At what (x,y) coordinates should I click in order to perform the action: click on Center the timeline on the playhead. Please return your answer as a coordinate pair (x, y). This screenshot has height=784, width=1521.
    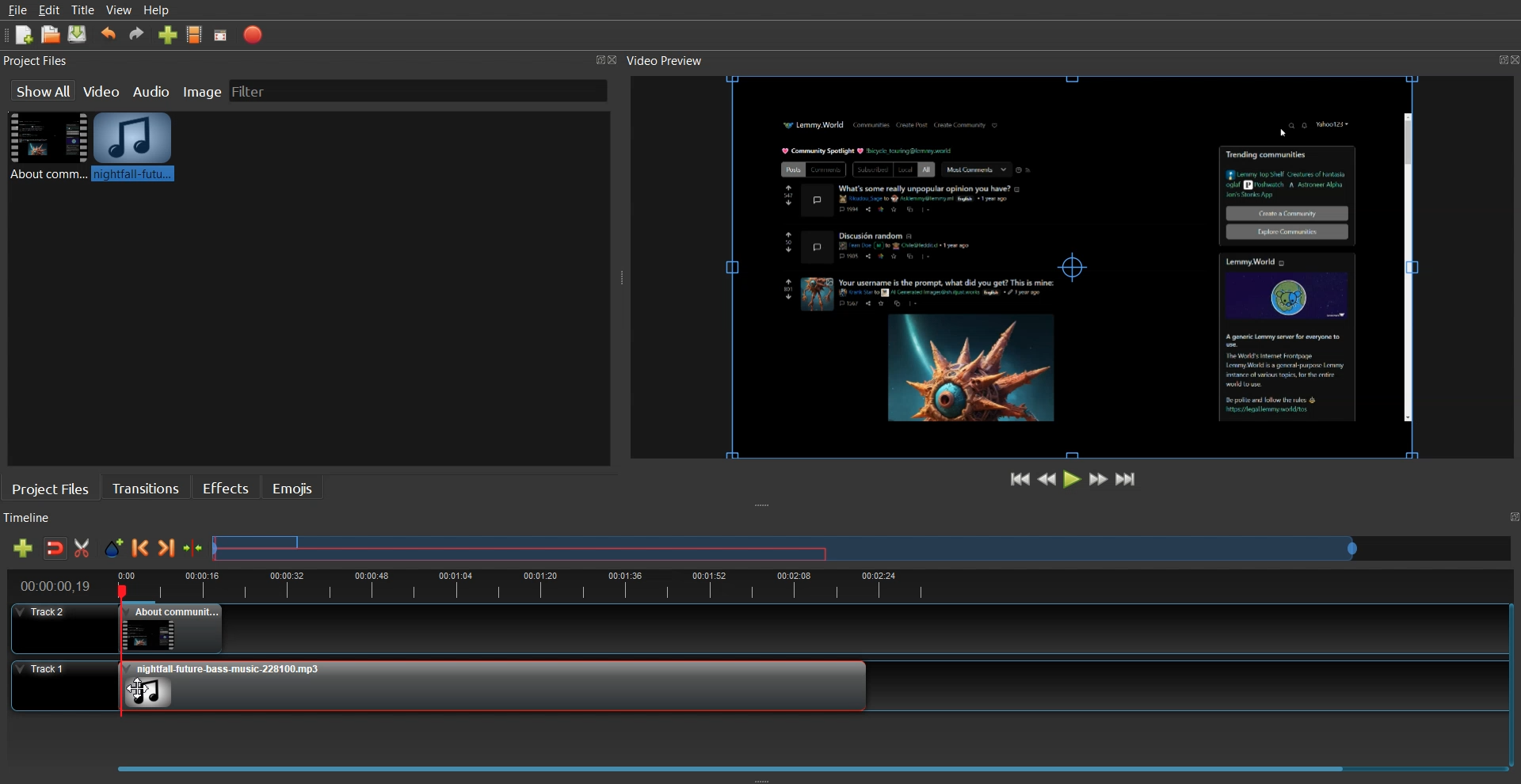
    Looking at the image, I should click on (194, 548).